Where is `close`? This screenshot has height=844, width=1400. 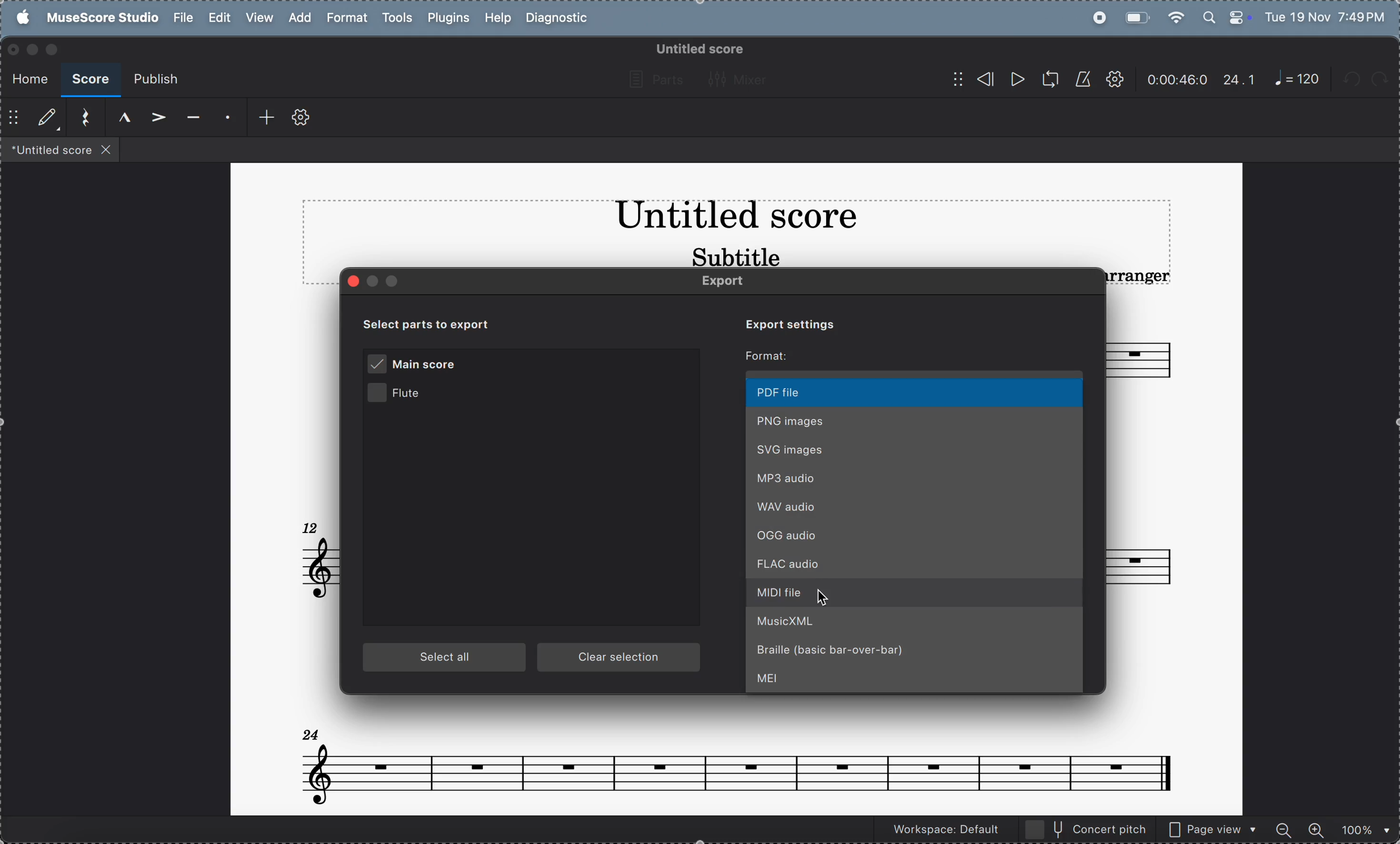 close is located at coordinates (355, 281).